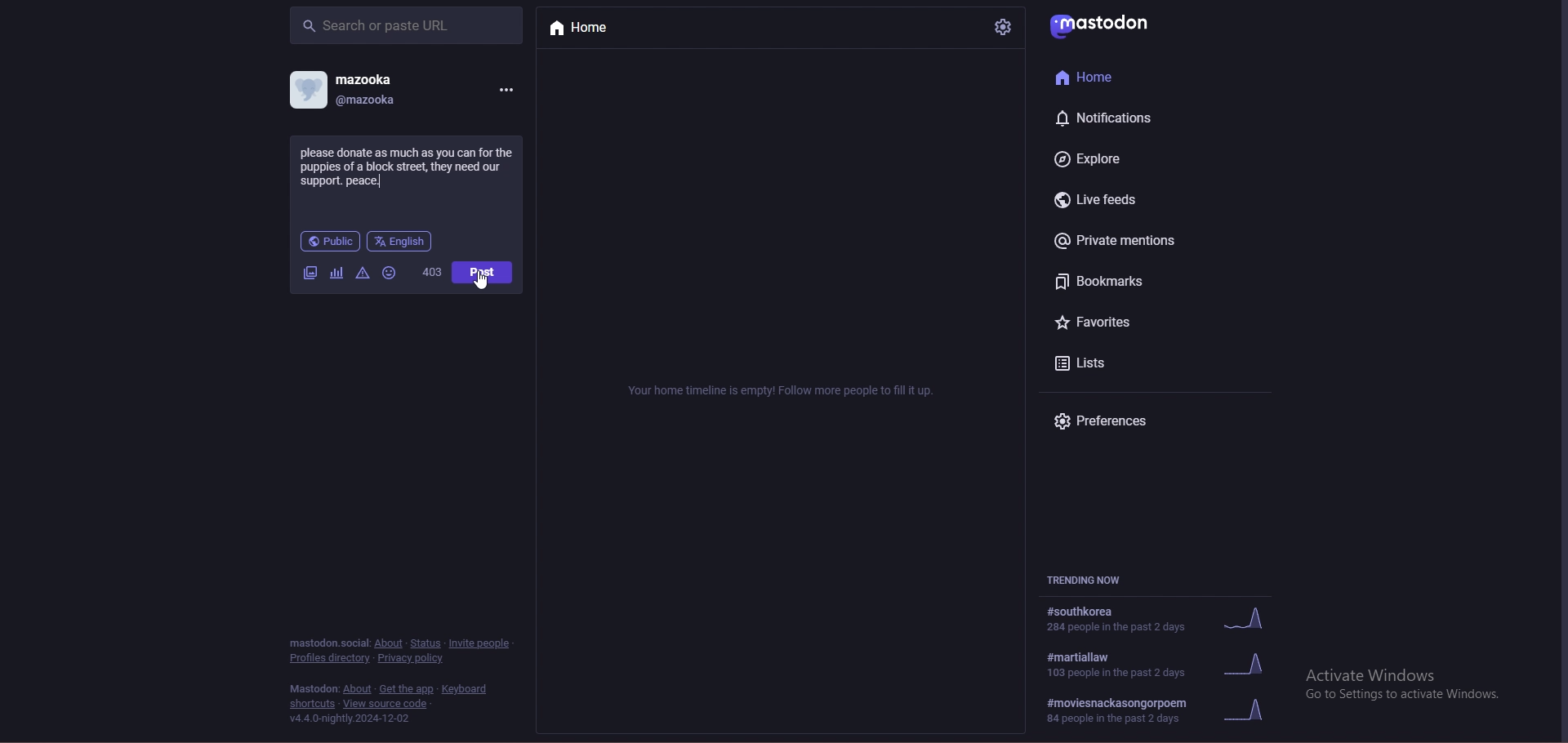 This screenshot has height=743, width=1568. What do you see at coordinates (336, 274) in the screenshot?
I see `cafier they fear` at bounding box center [336, 274].